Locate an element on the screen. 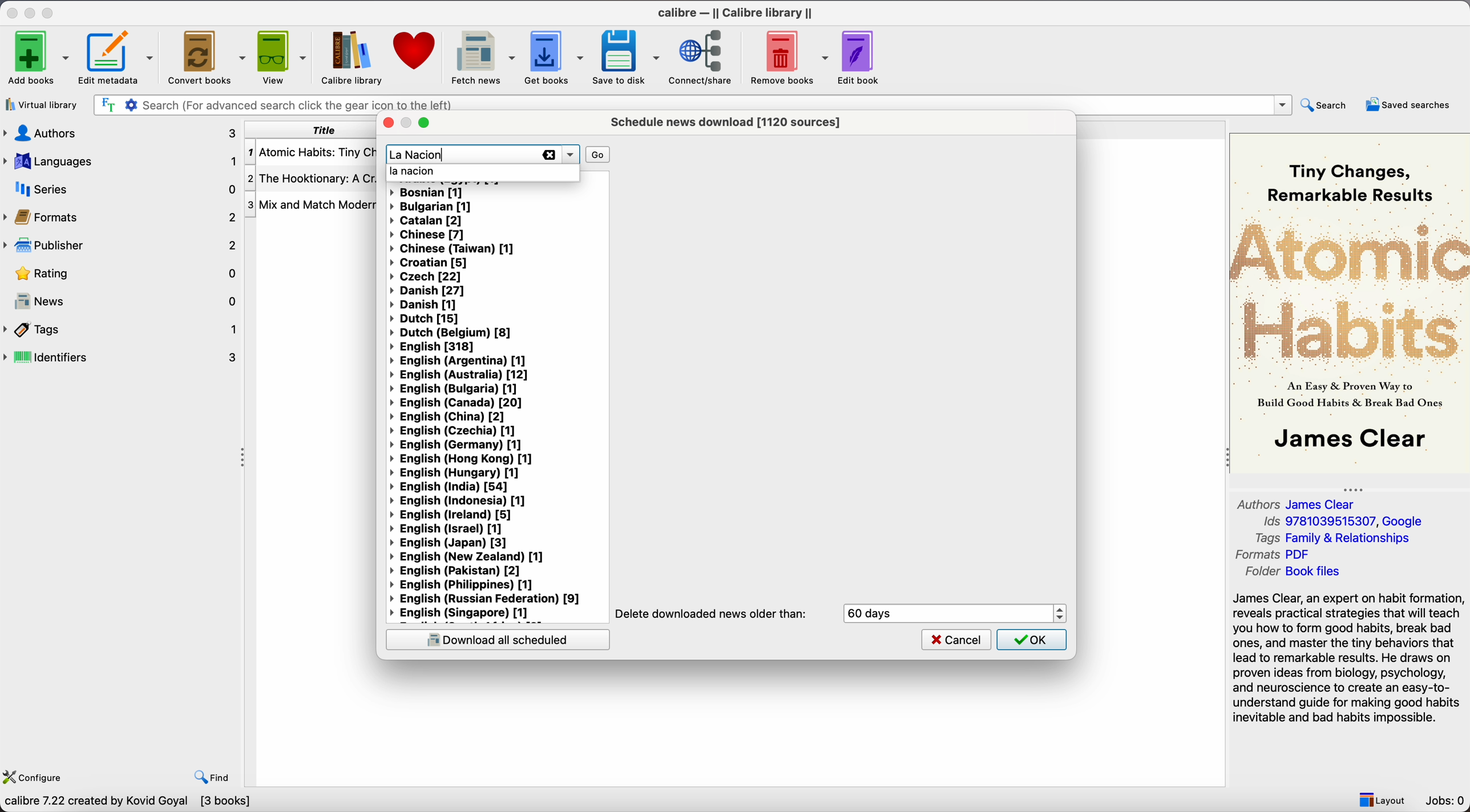 The height and width of the screenshot is (812, 1470). bosnian [1] is located at coordinates (429, 193).